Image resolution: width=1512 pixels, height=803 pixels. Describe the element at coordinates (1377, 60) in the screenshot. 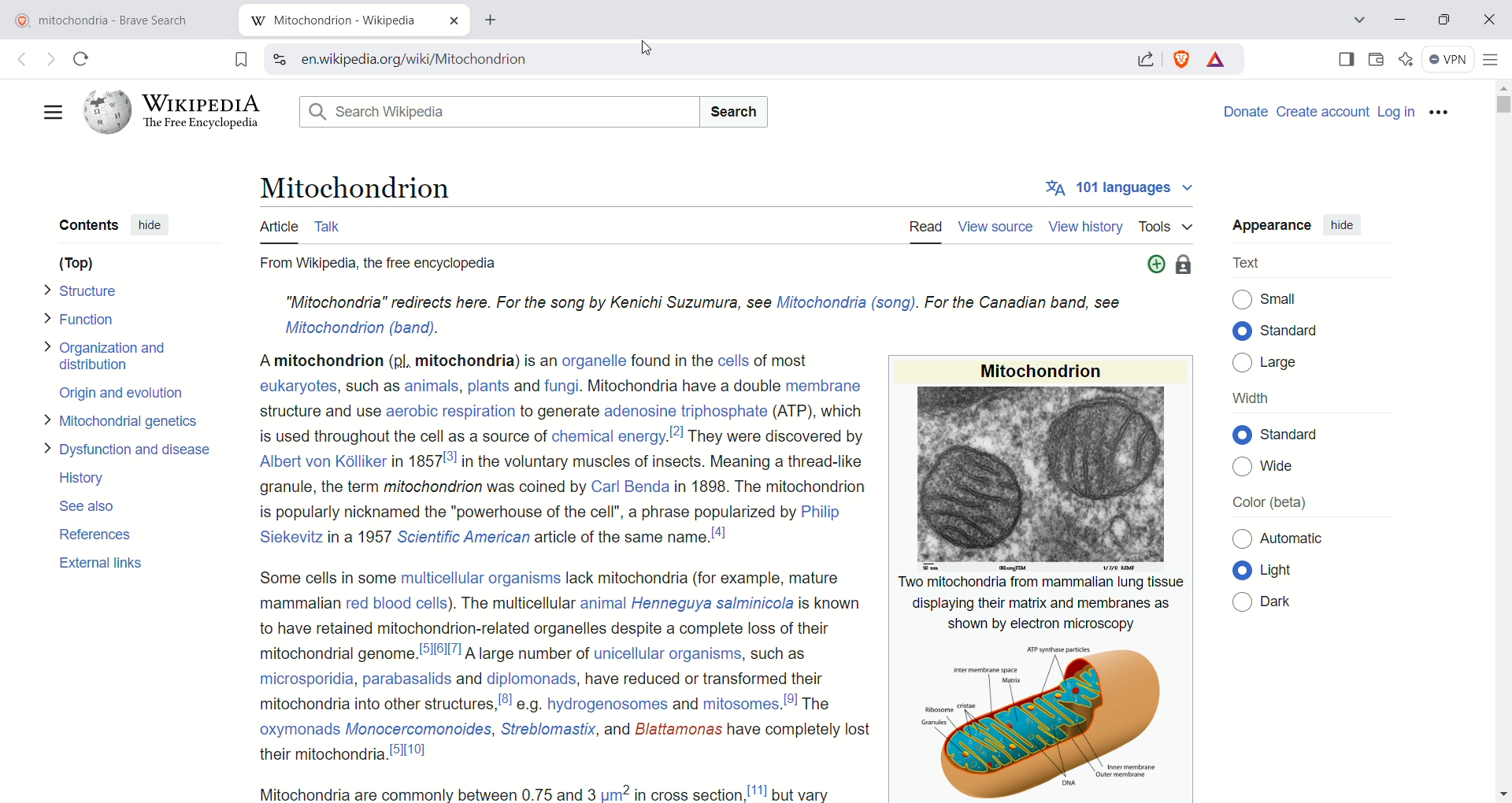

I see `wallet` at that location.